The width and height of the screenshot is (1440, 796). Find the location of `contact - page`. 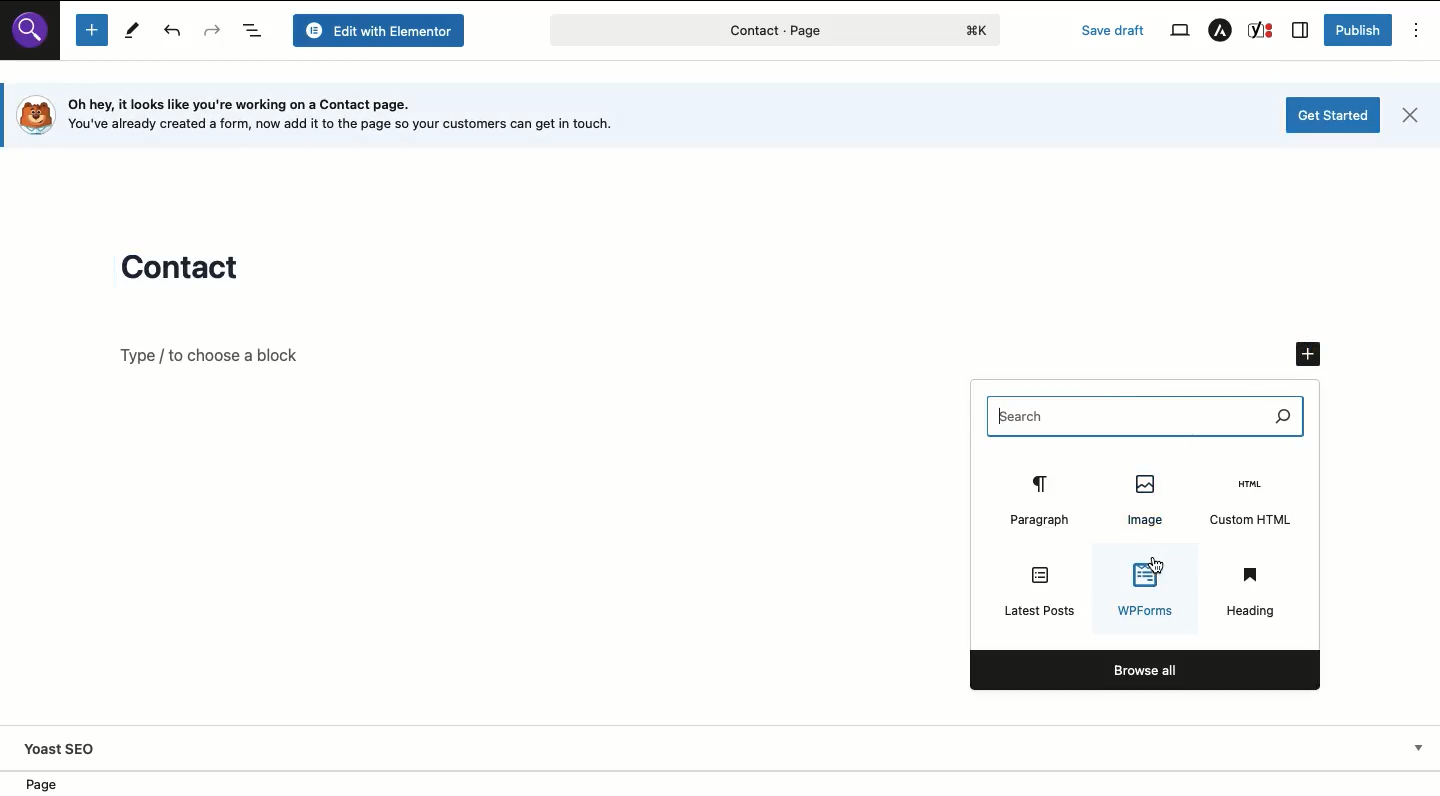

contact - page is located at coordinates (706, 34).